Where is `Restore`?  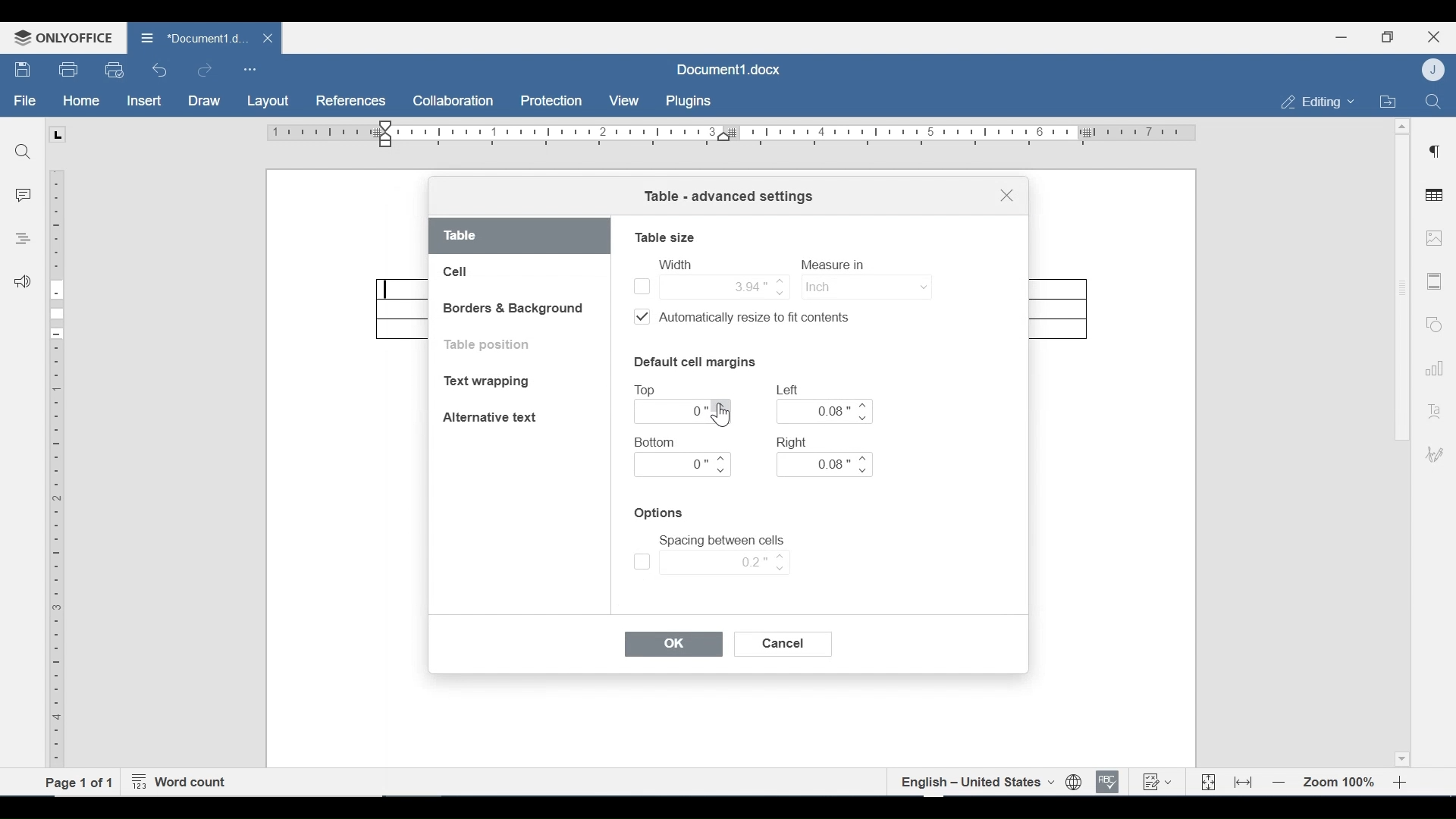 Restore is located at coordinates (1387, 37).